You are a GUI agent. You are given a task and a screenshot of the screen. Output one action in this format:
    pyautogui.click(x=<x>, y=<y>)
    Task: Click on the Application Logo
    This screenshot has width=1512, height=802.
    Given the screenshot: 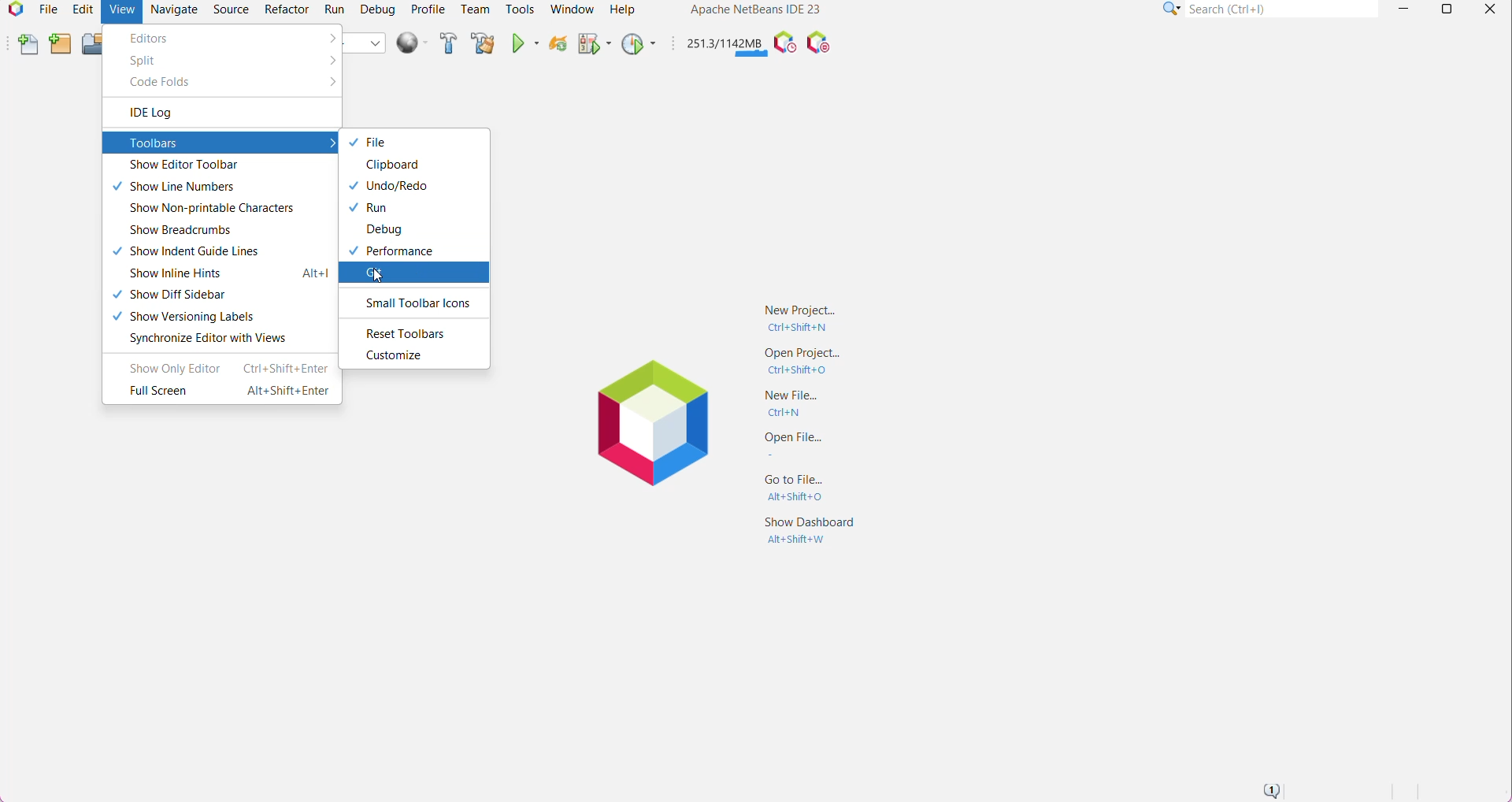 What is the action you would take?
    pyautogui.click(x=13, y=11)
    